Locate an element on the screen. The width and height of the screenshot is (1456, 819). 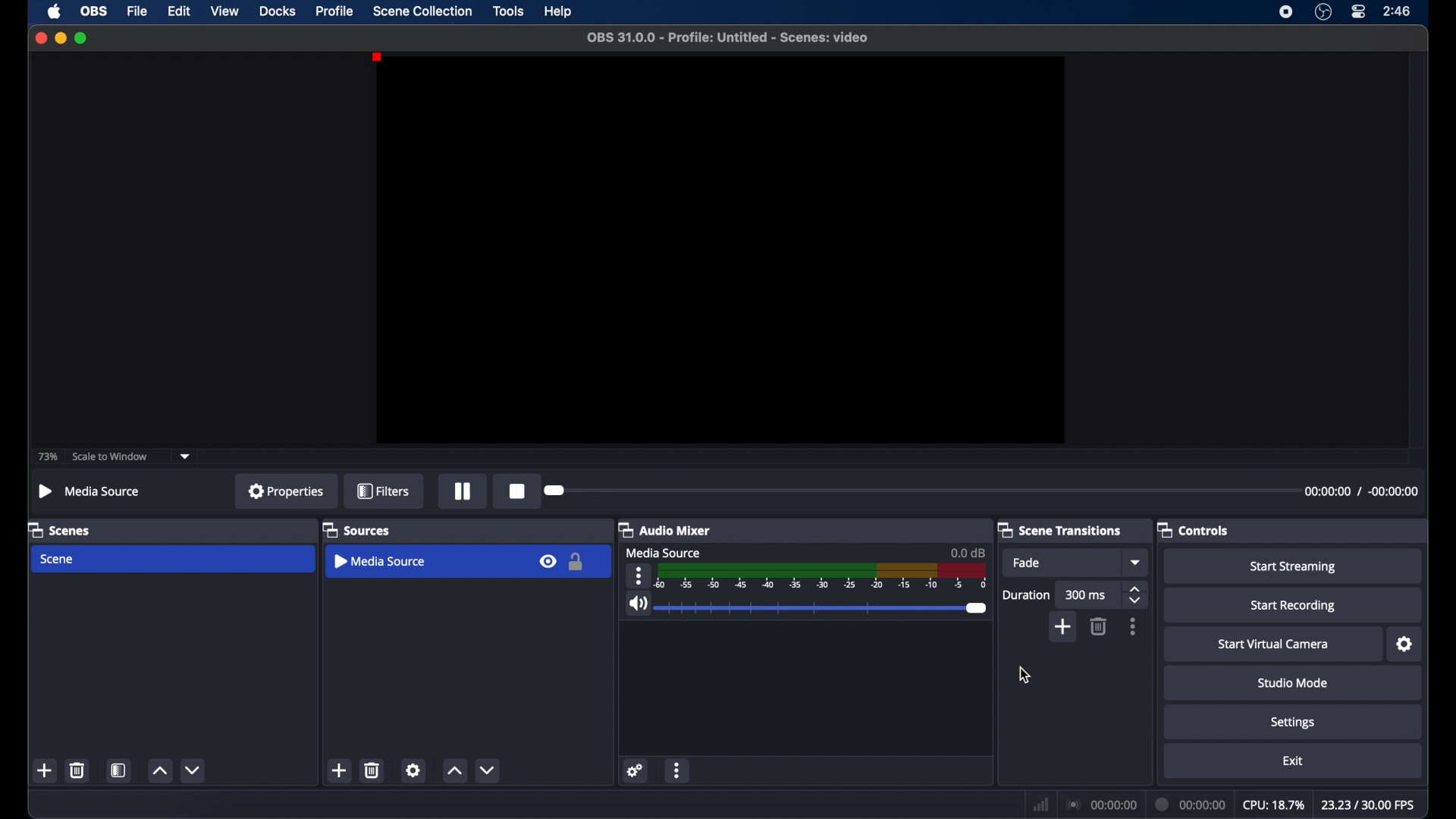
settings is located at coordinates (1293, 722).